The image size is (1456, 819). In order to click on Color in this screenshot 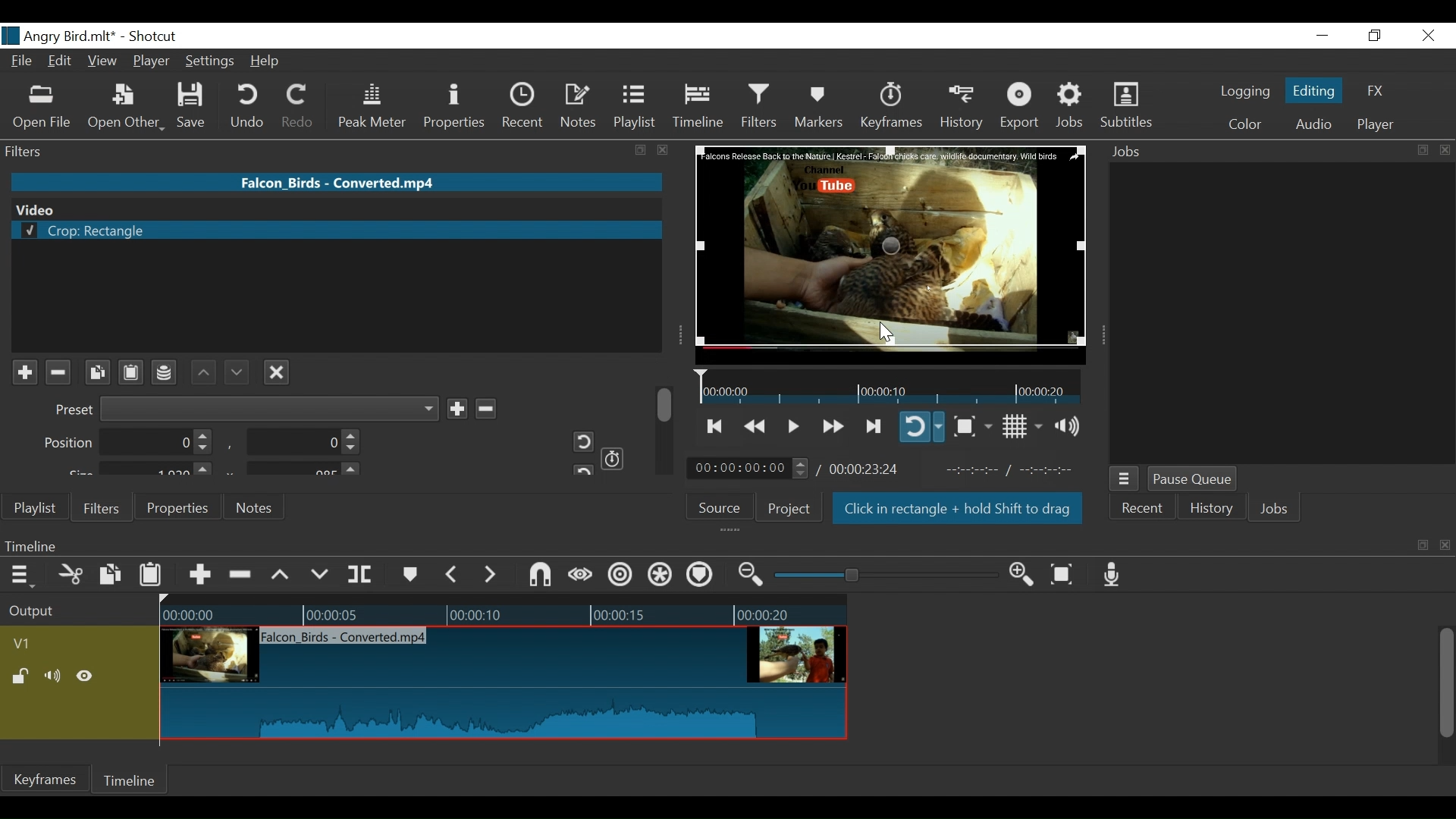, I will do `click(1241, 124)`.